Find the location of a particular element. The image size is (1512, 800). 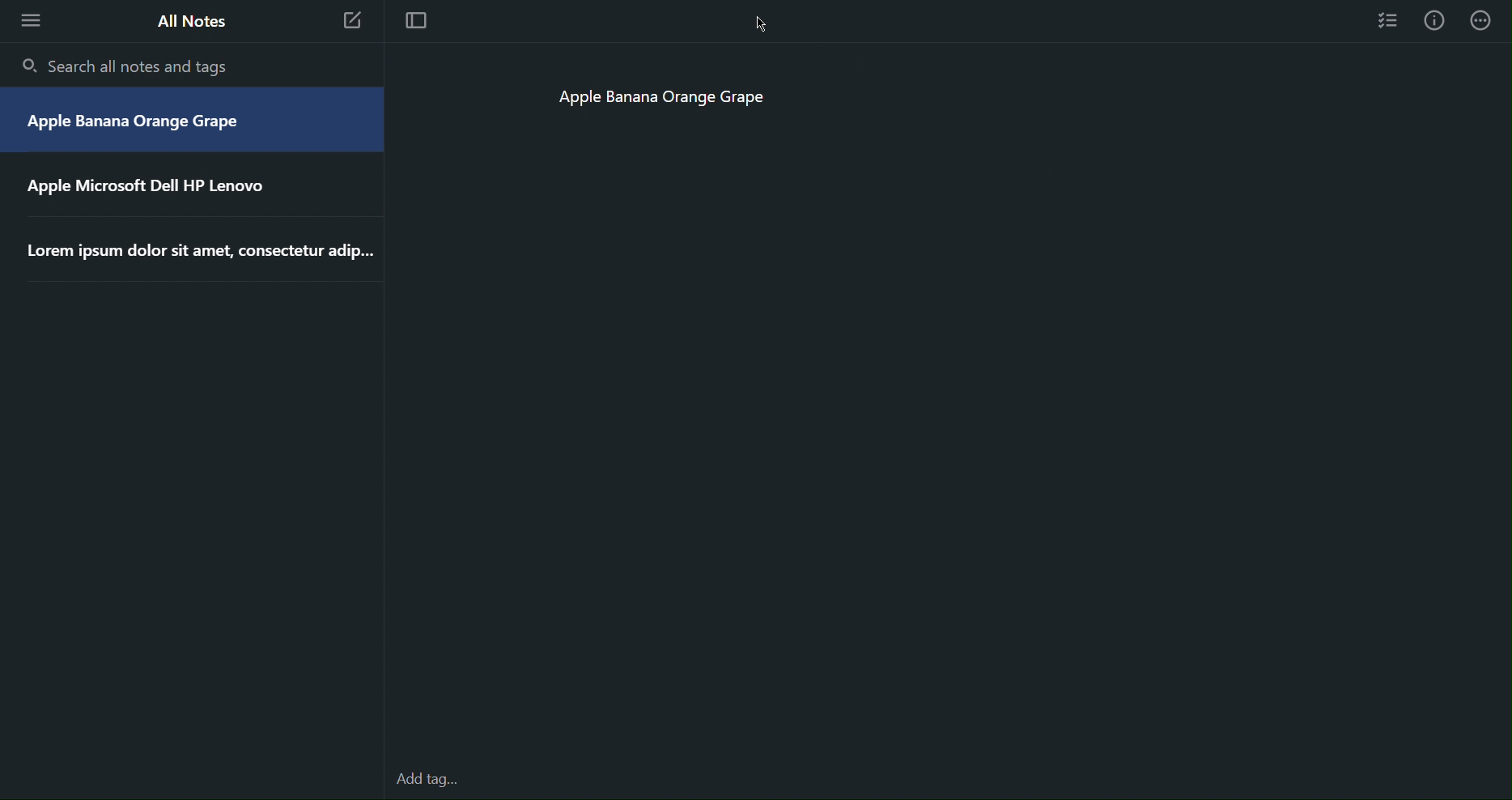

Apple Microsoft Dell HP Lenovo is located at coordinates (148, 184).